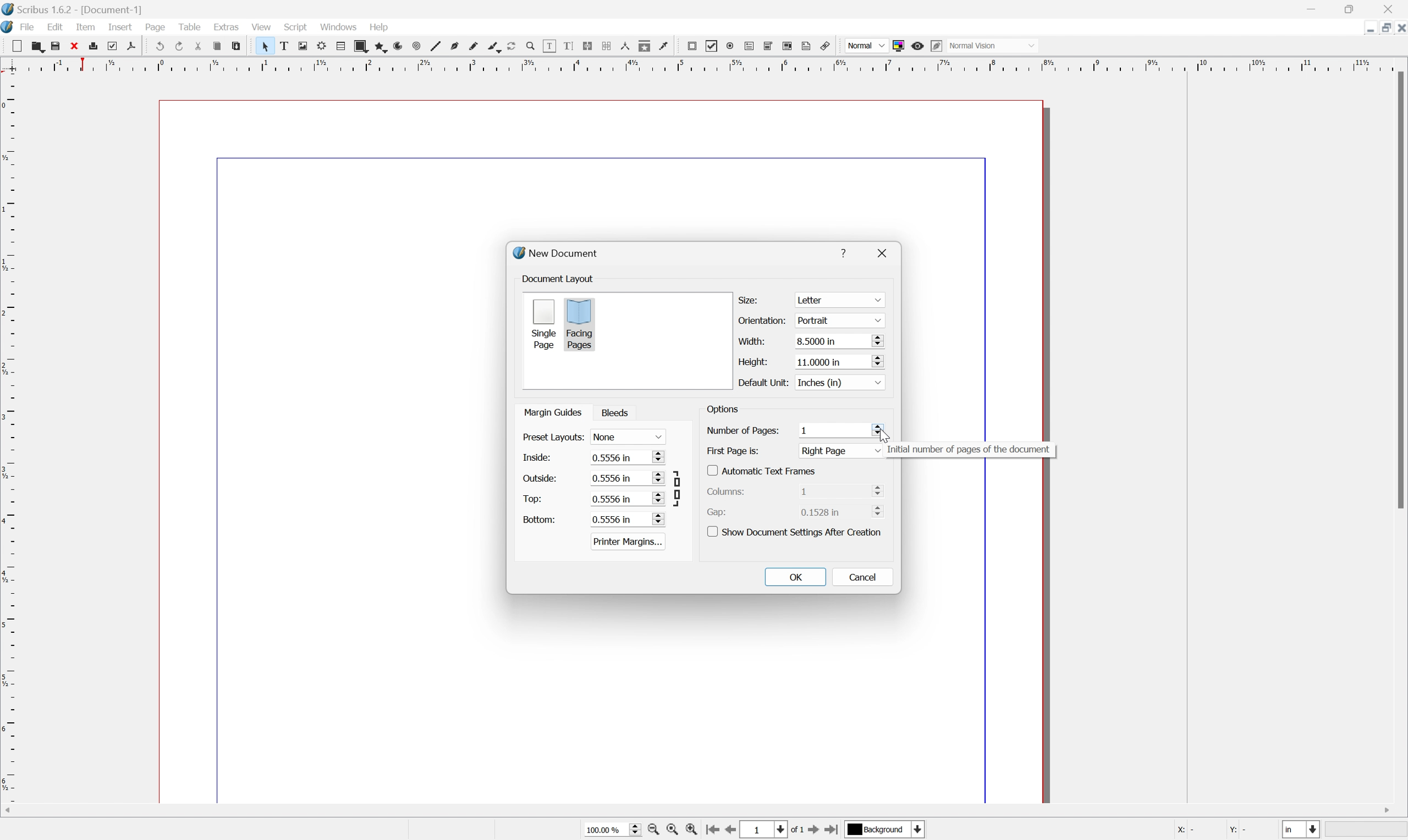 The width and height of the screenshot is (1408, 840). Describe the element at coordinates (627, 498) in the screenshot. I see `0.5556 in` at that location.